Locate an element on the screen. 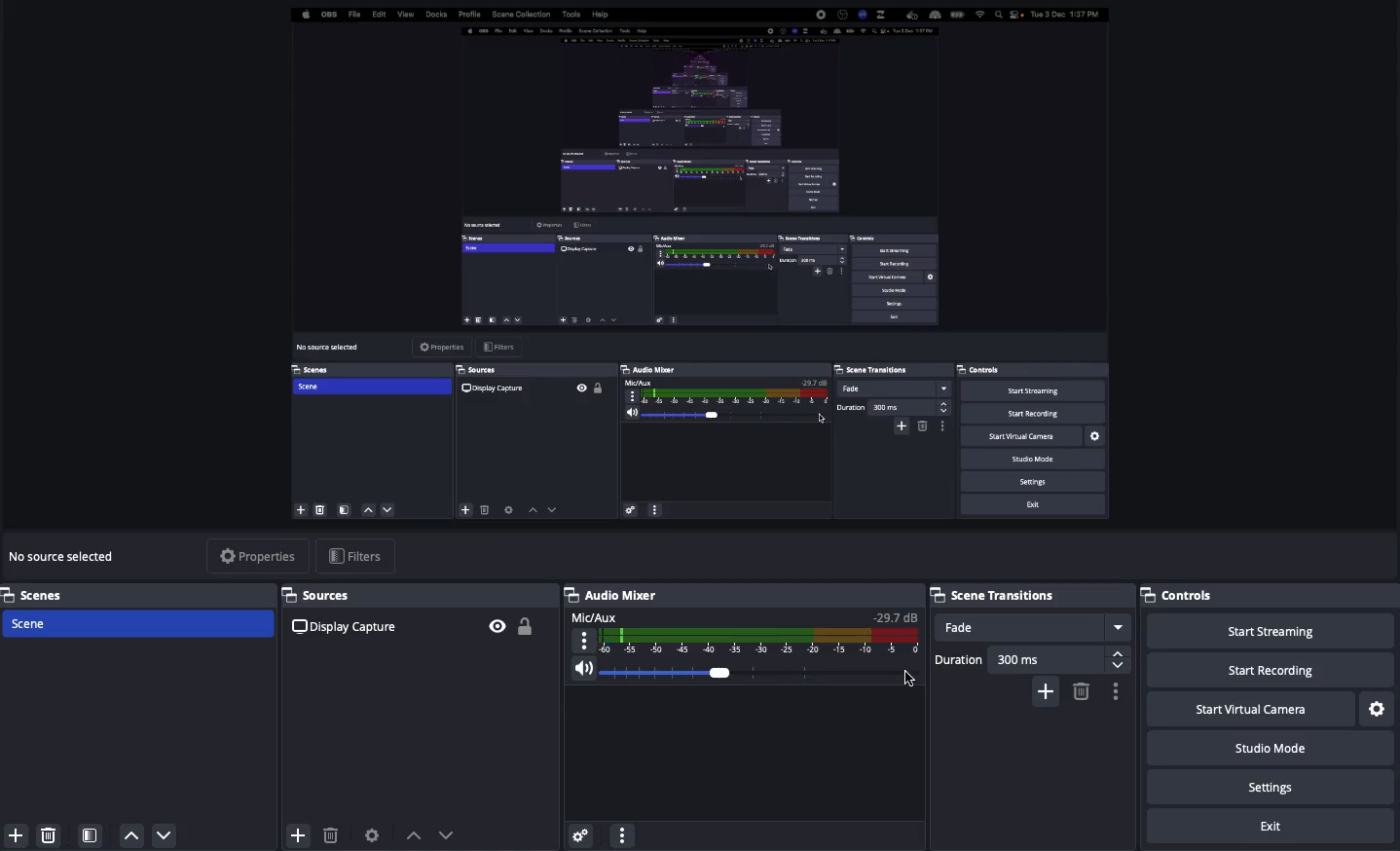 The width and height of the screenshot is (1400, 851). Move down is located at coordinates (447, 834).